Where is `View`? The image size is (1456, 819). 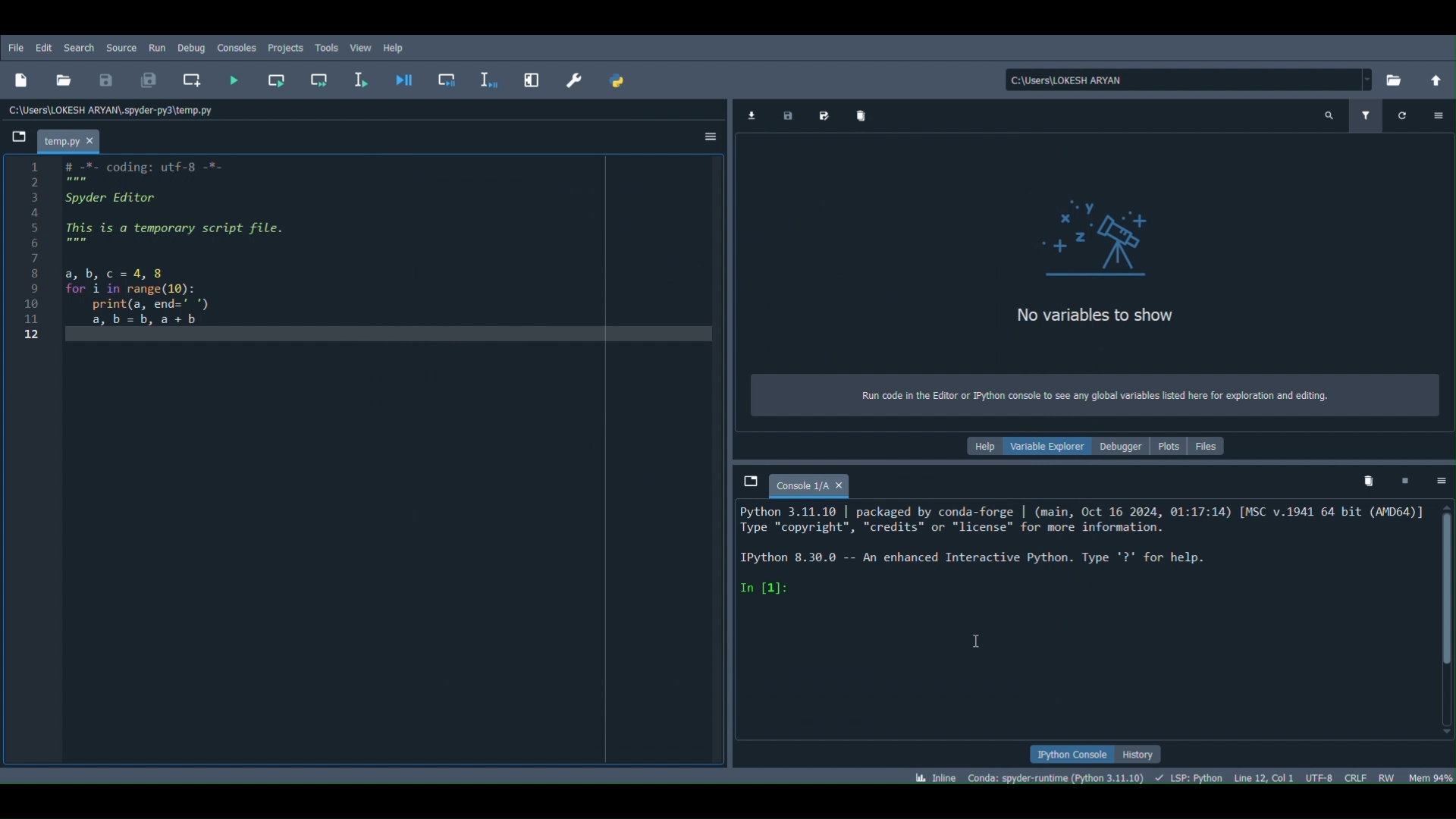 View is located at coordinates (361, 47).